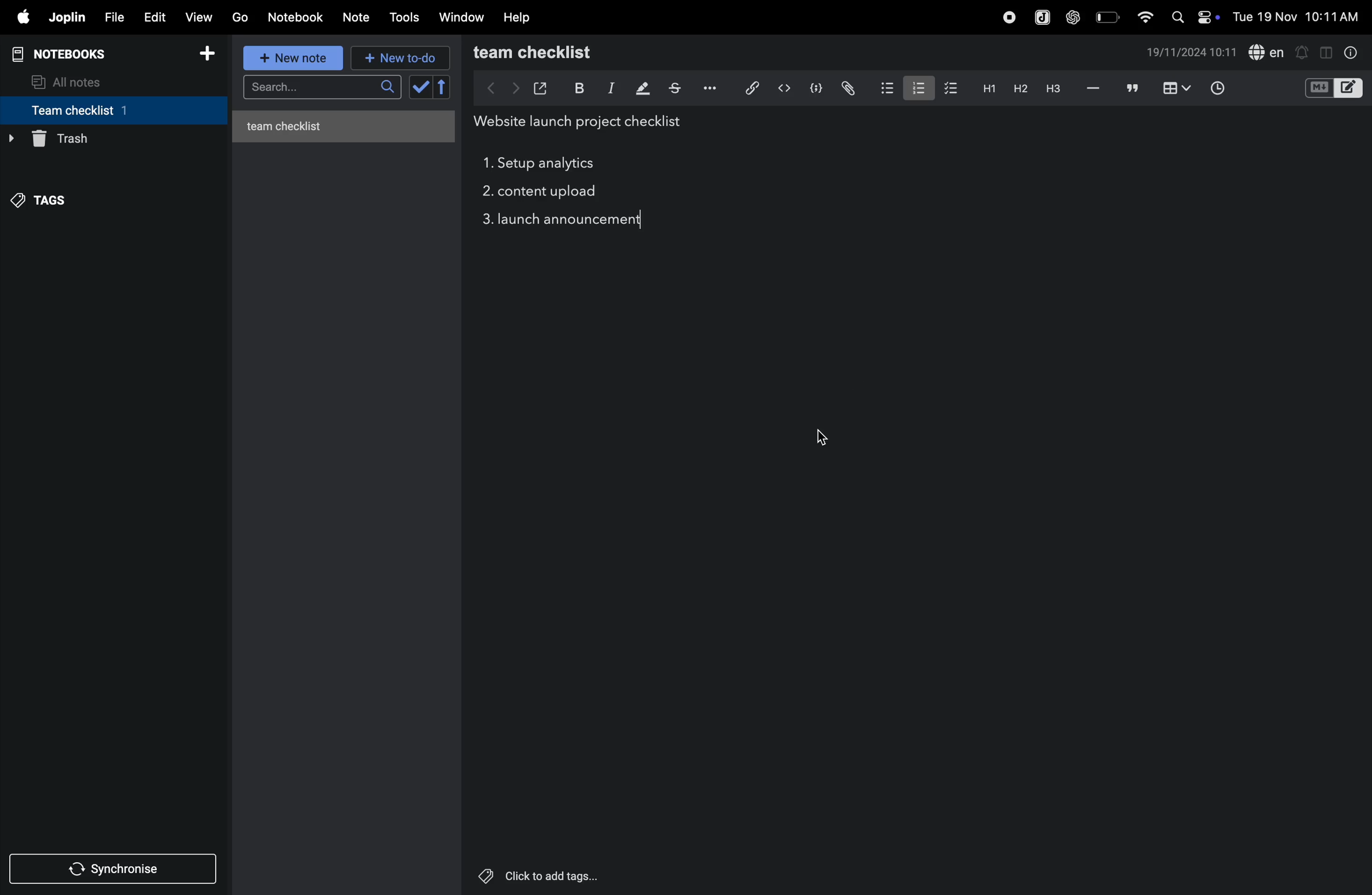 This screenshot has width=1372, height=895. Describe the element at coordinates (512, 88) in the screenshot. I see `forward` at that location.